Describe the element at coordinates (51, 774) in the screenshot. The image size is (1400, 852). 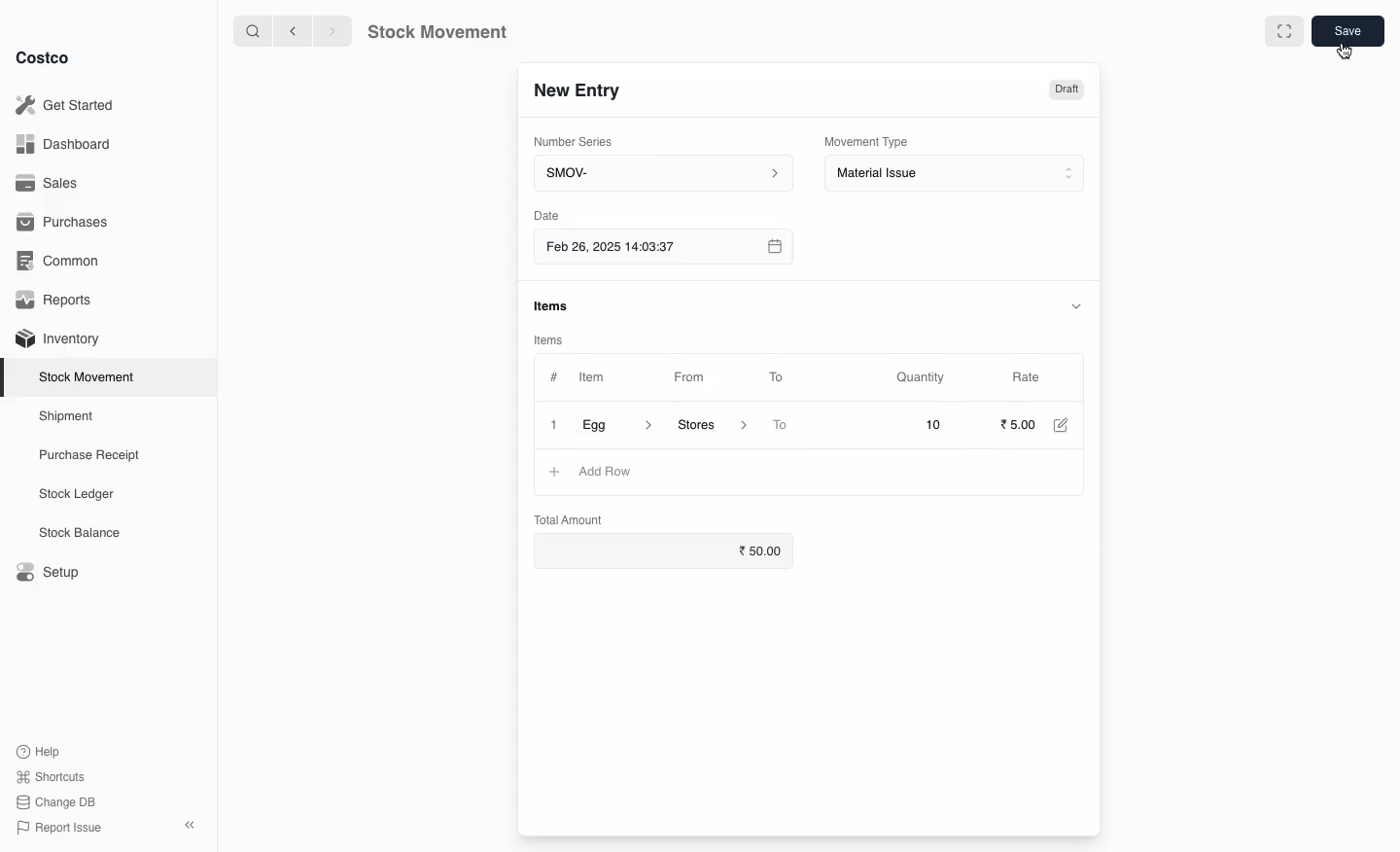
I see `Shortcuts` at that location.